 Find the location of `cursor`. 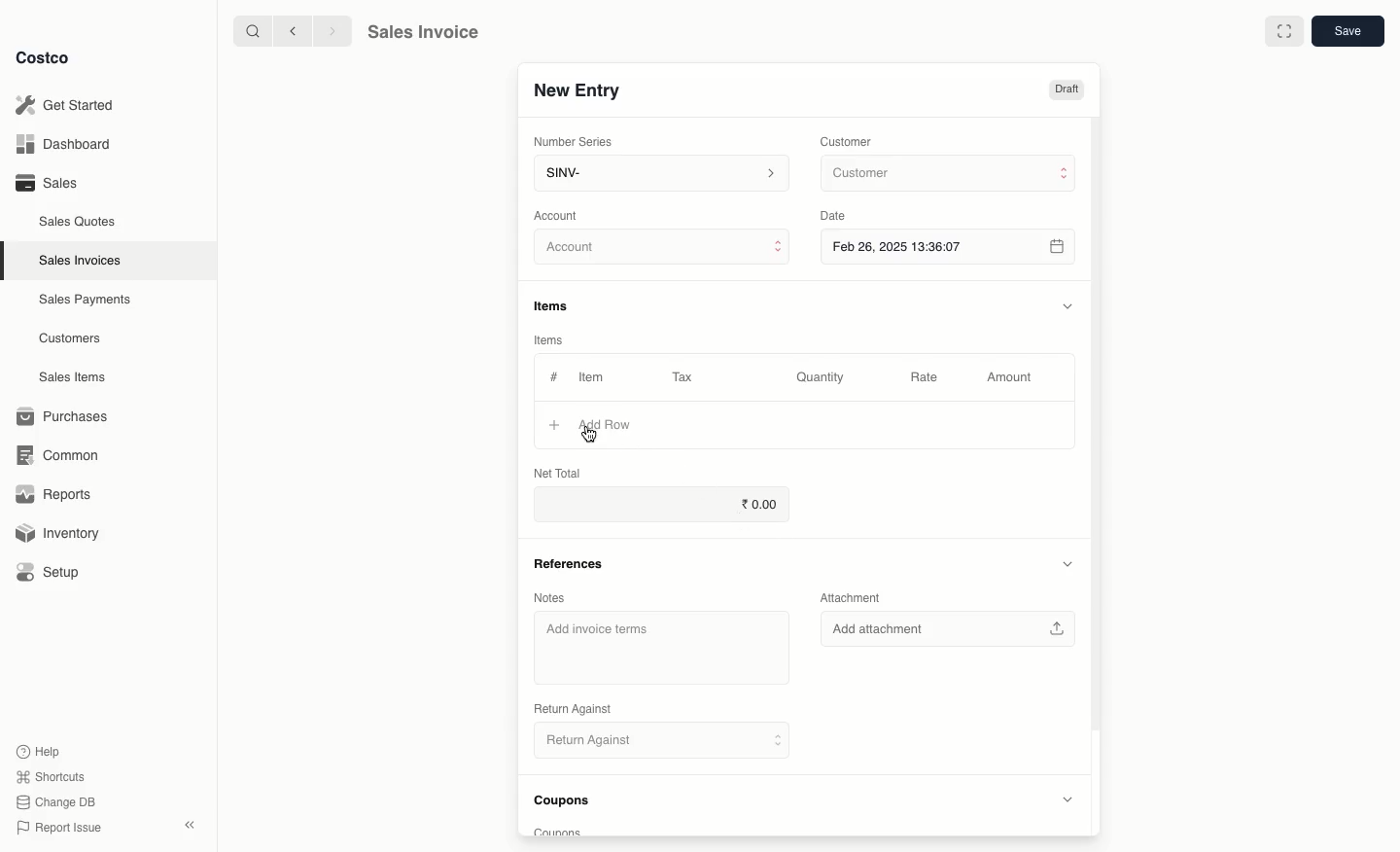

cursor is located at coordinates (587, 436).